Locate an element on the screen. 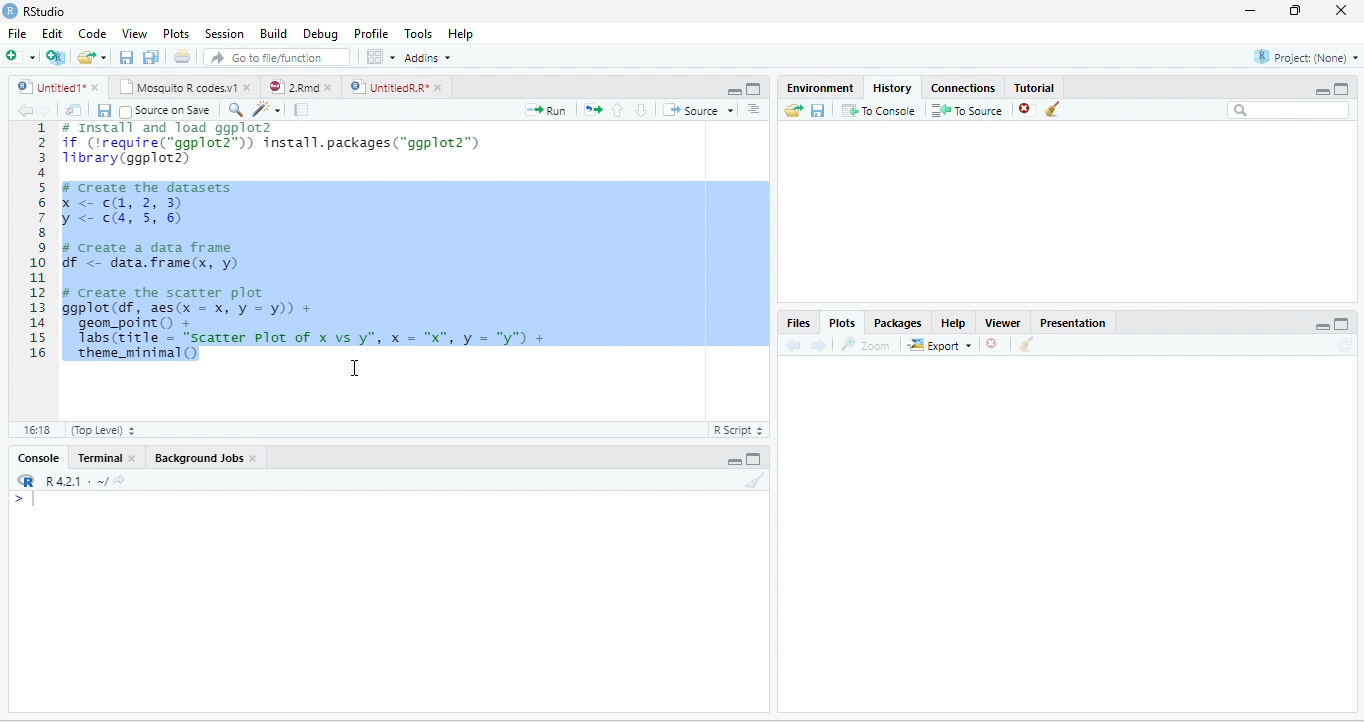 The width and height of the screenshot is (1364, 722). close is located at coordinates (95, 87).